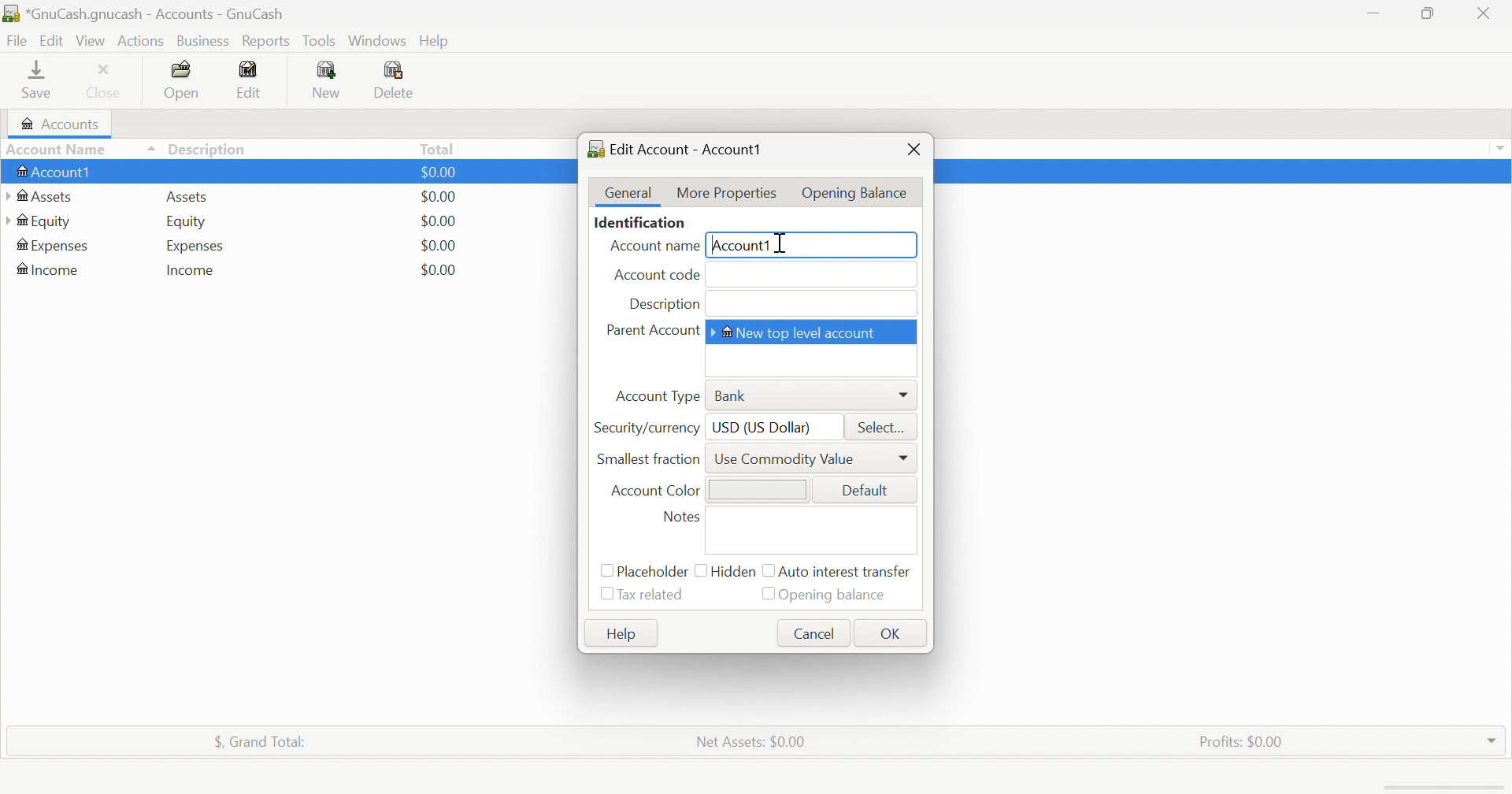  Describe the element at coordinates (1491, 739) in the screenshot. I see `Drop Down` at that location.